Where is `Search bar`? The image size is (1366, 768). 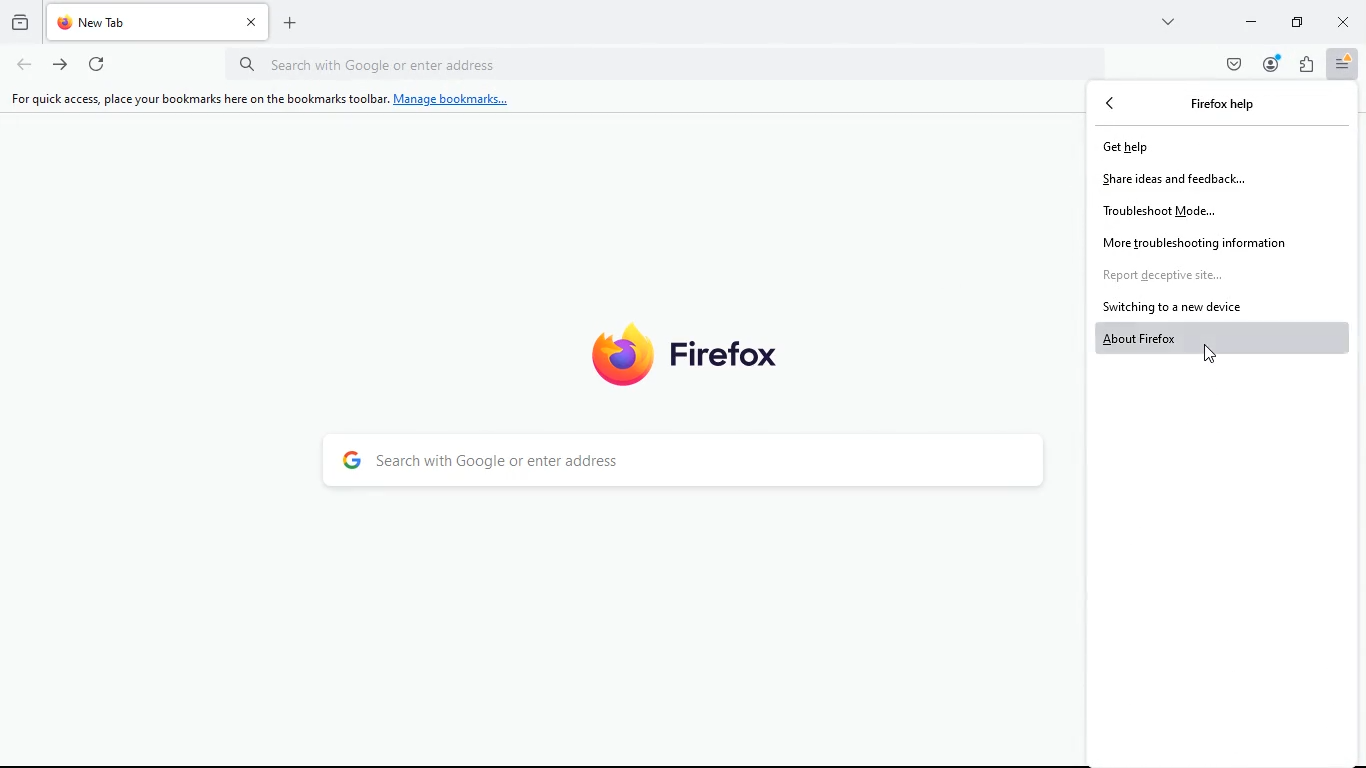
Search bar is located at coordinates (670, 65).